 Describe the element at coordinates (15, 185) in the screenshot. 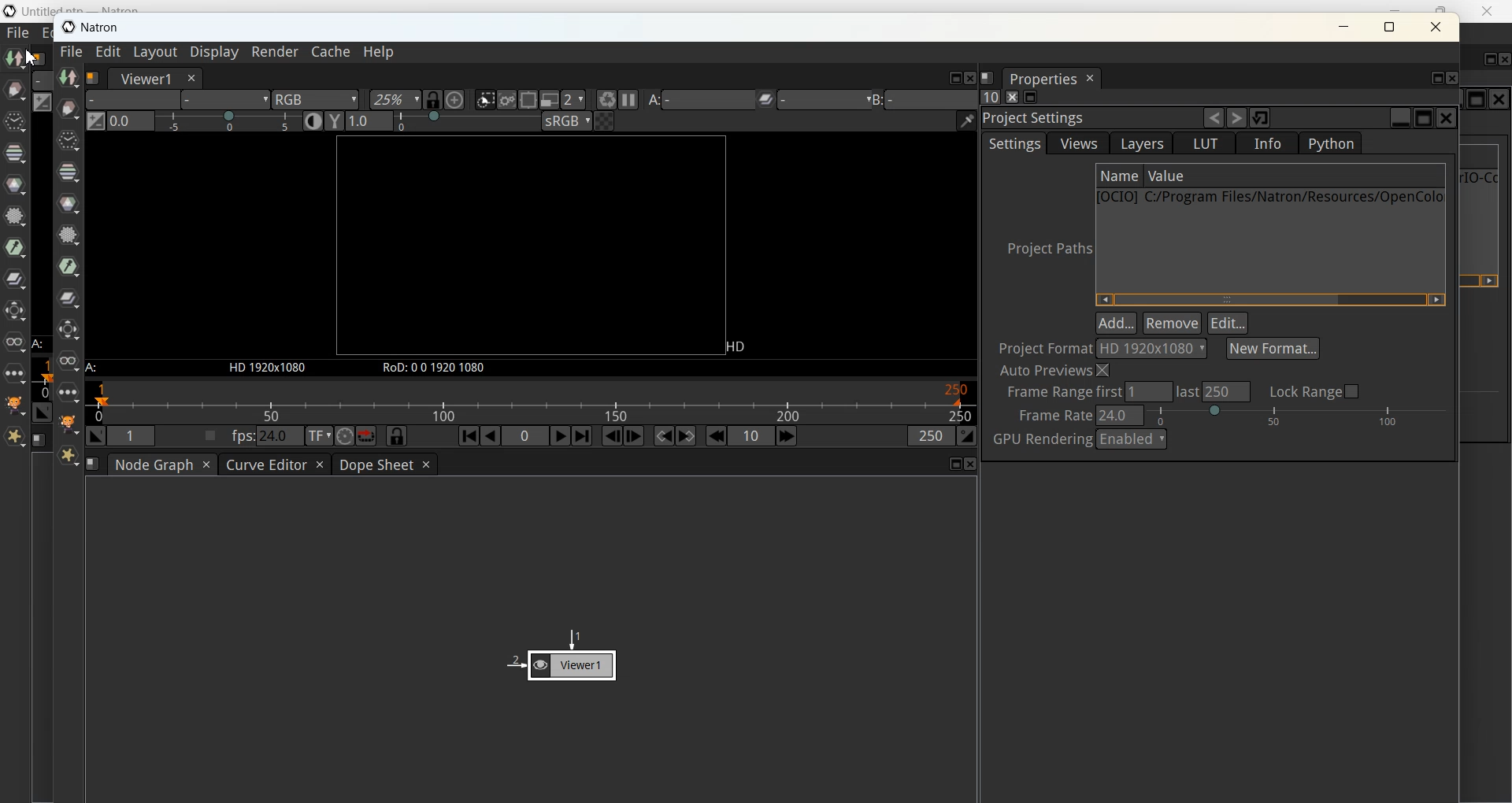

I see `Color` at that location.